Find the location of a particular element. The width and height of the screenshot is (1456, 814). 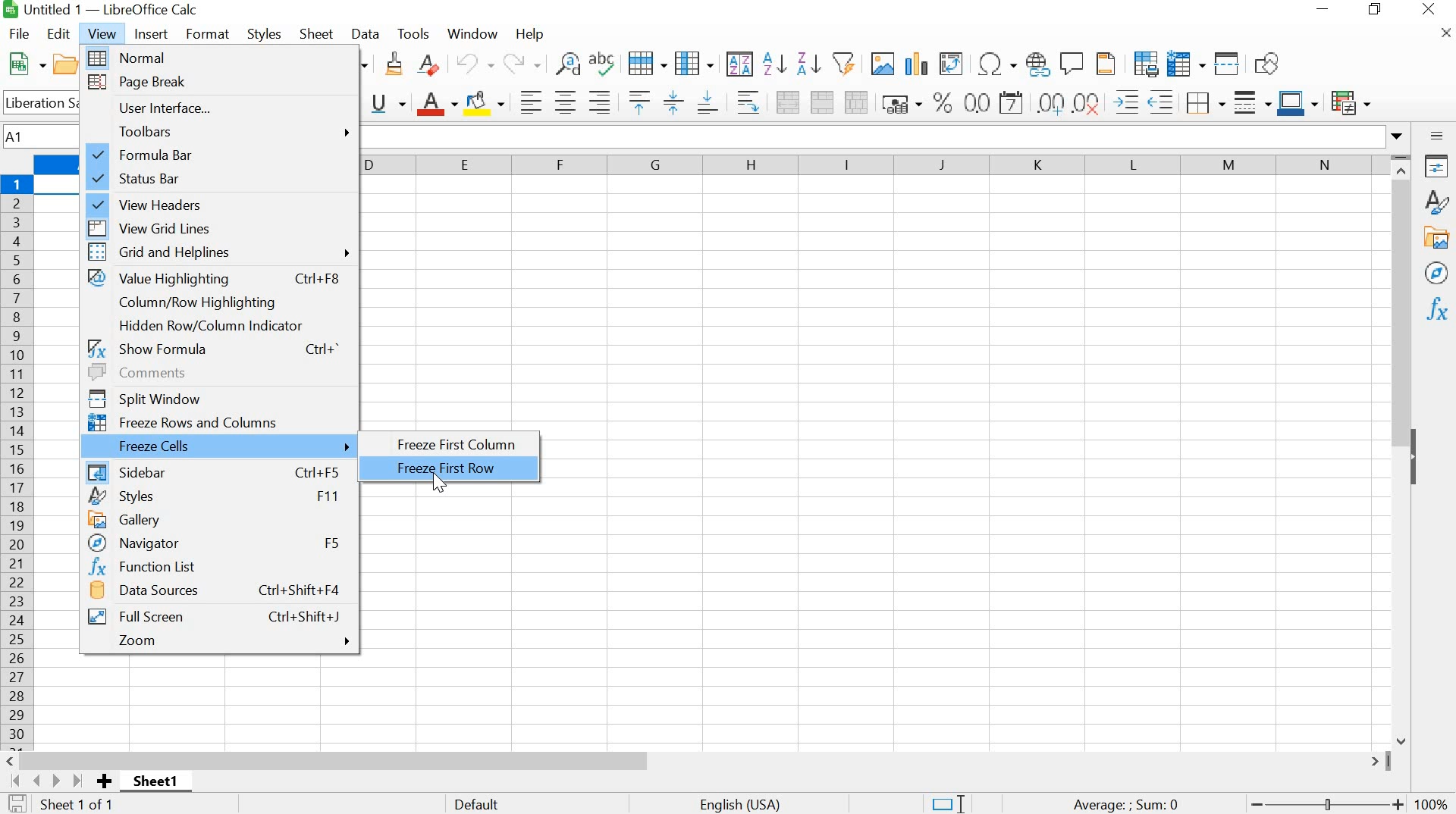

cursor is located at coordinates (439, 486).